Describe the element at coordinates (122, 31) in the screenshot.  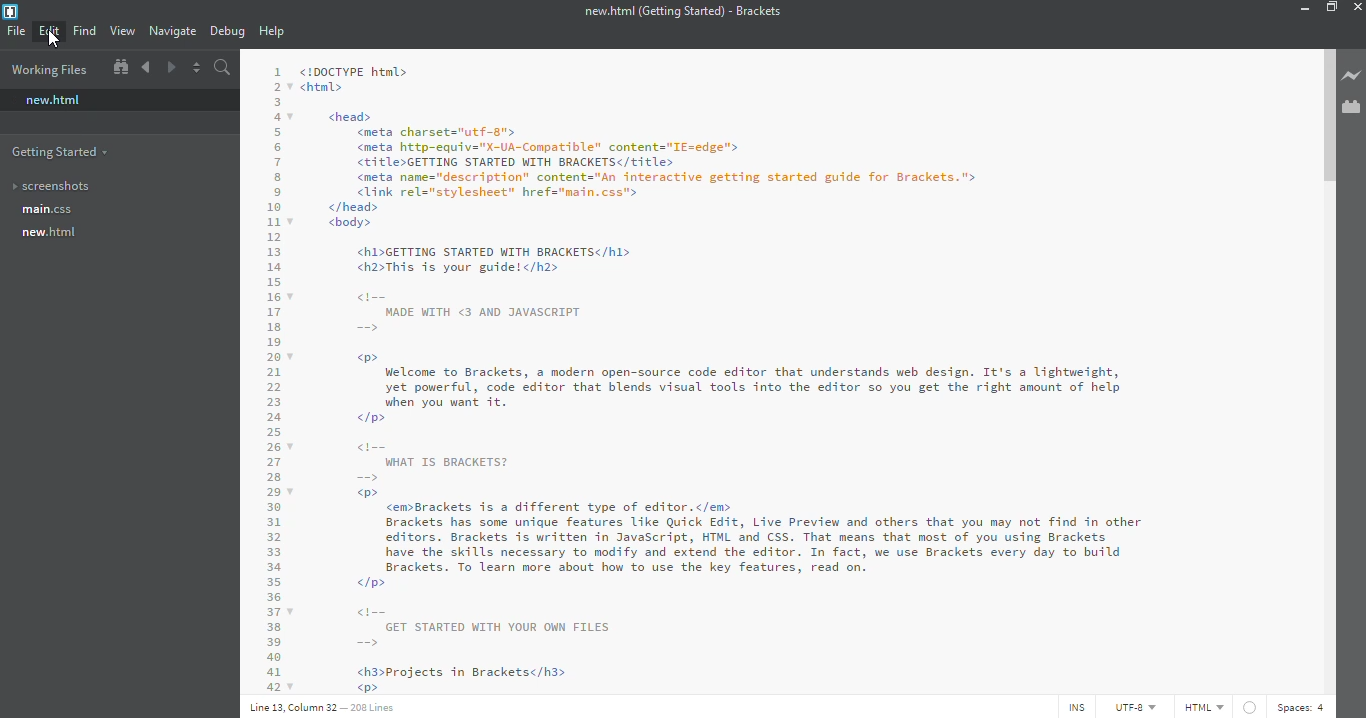
I see `view` at that location.